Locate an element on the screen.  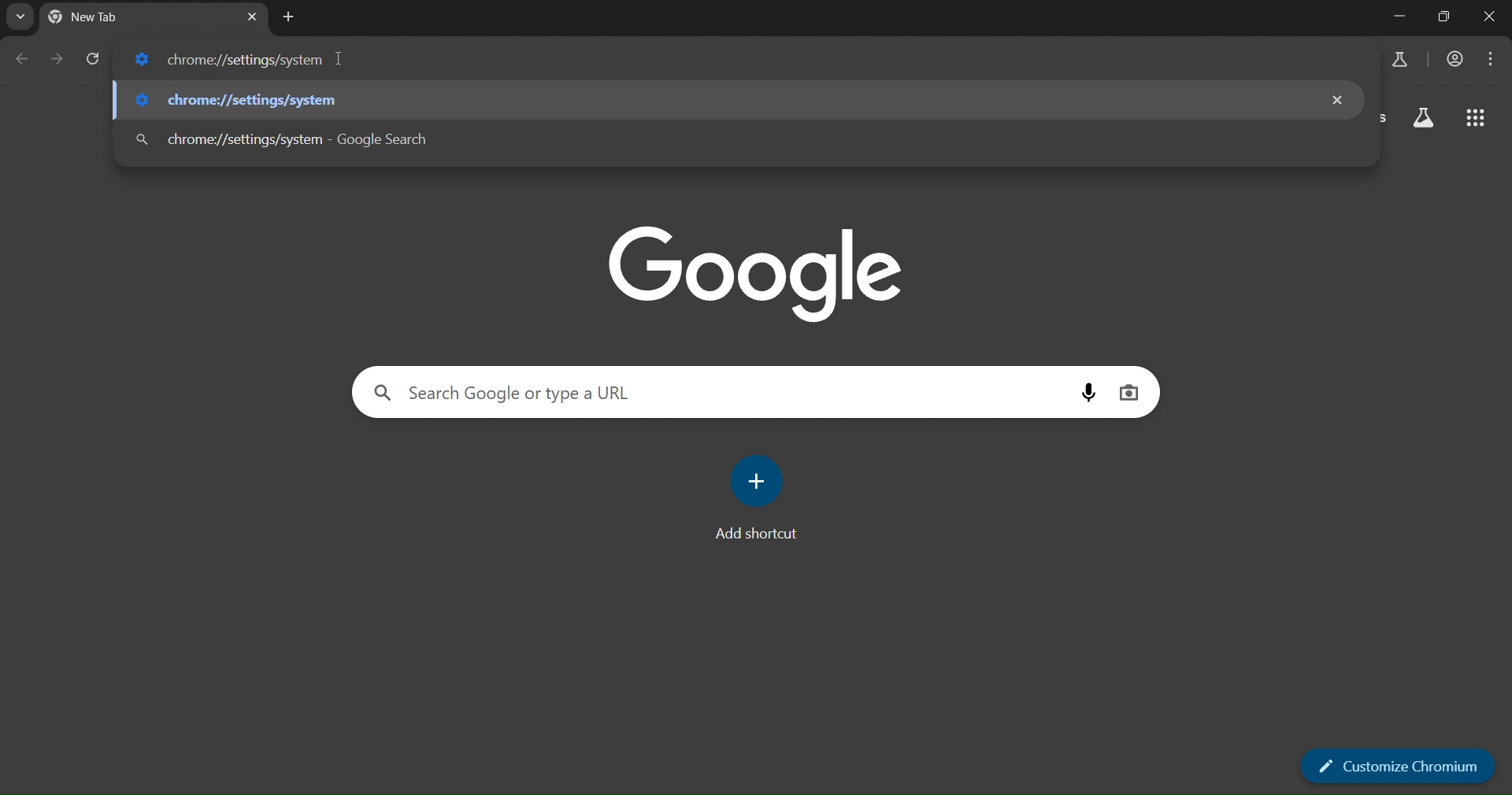
add shortcut is located at coordinates (760, 497).